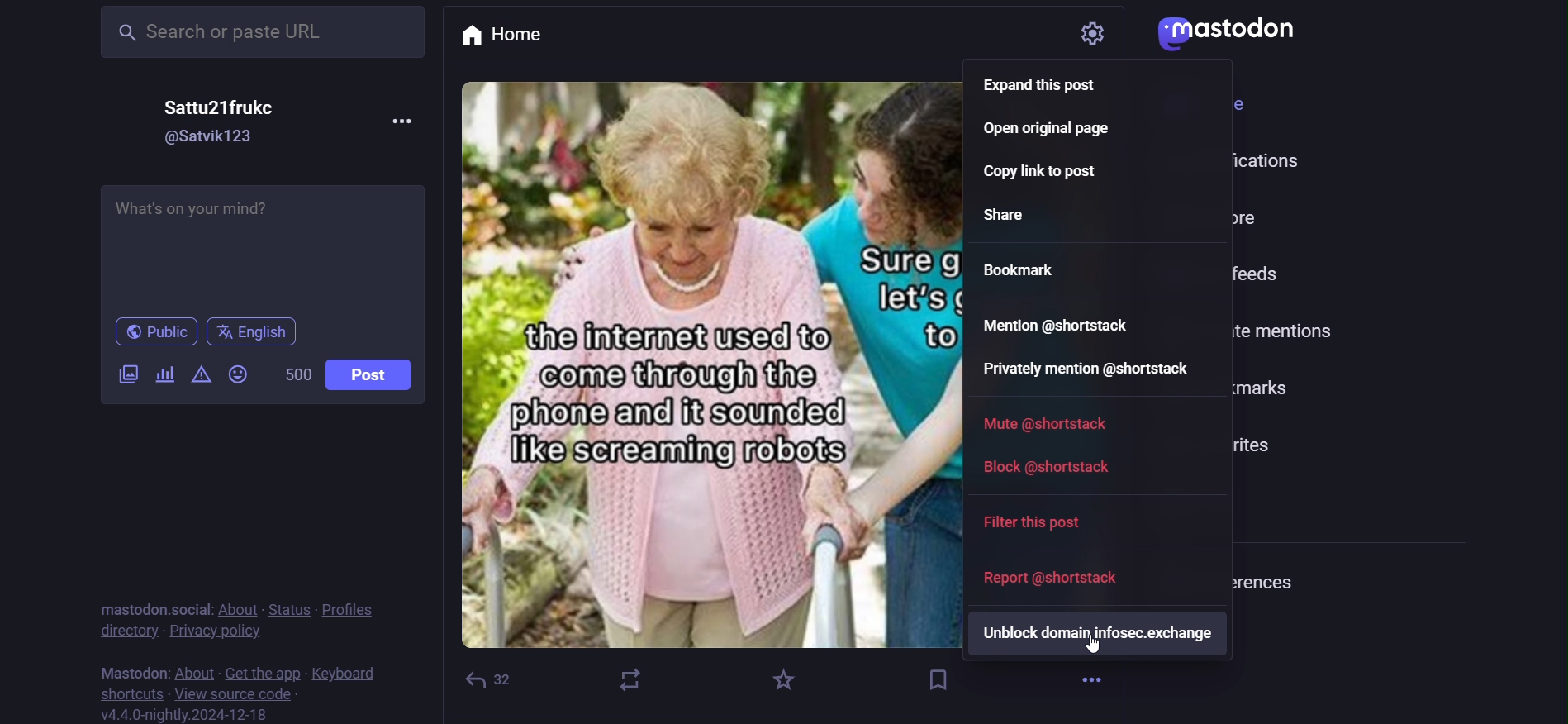  I want to click on post, so click(378, 372).